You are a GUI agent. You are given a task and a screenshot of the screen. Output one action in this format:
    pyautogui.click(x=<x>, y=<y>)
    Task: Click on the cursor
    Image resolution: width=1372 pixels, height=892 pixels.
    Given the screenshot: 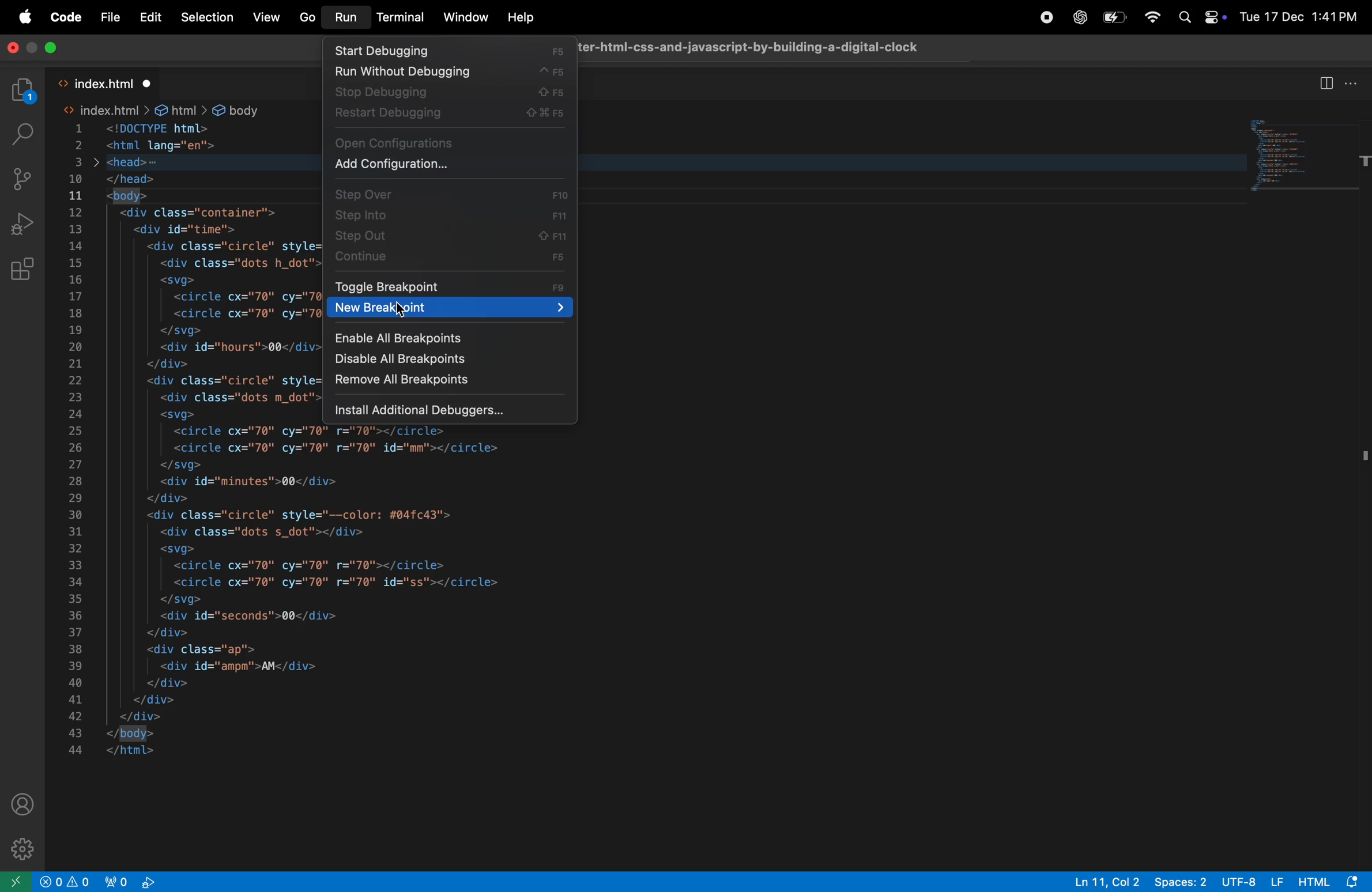 What is the action you would take?
    pyautogui.click(x=401, y=311)
    